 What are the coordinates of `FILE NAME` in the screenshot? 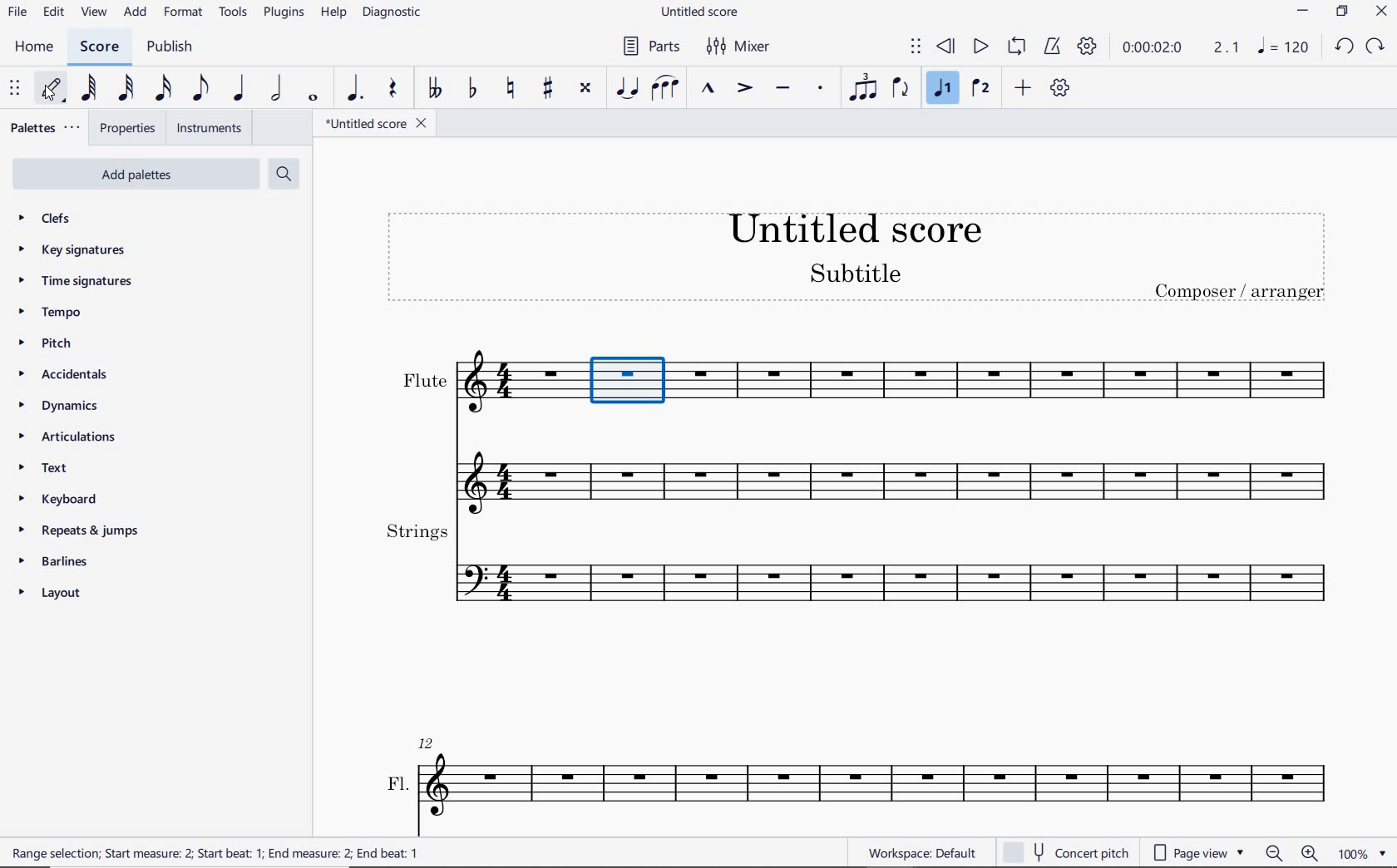 It's located at (375, 123).